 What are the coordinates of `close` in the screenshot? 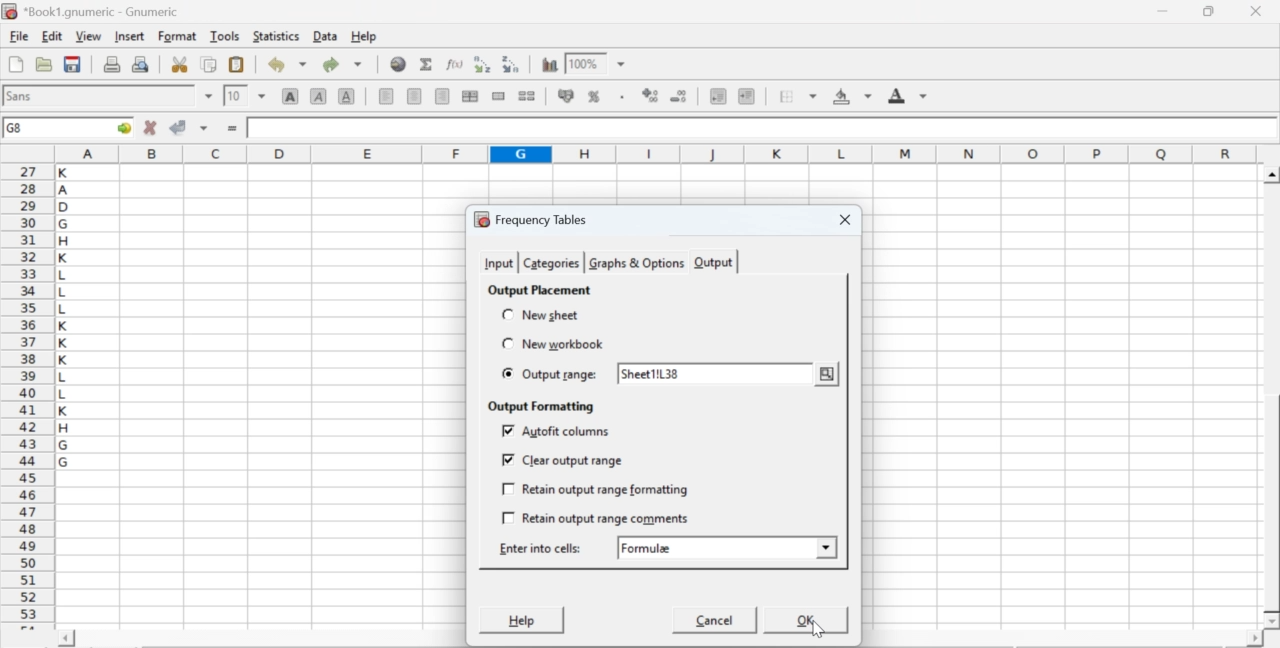 It's located at (842, 221).